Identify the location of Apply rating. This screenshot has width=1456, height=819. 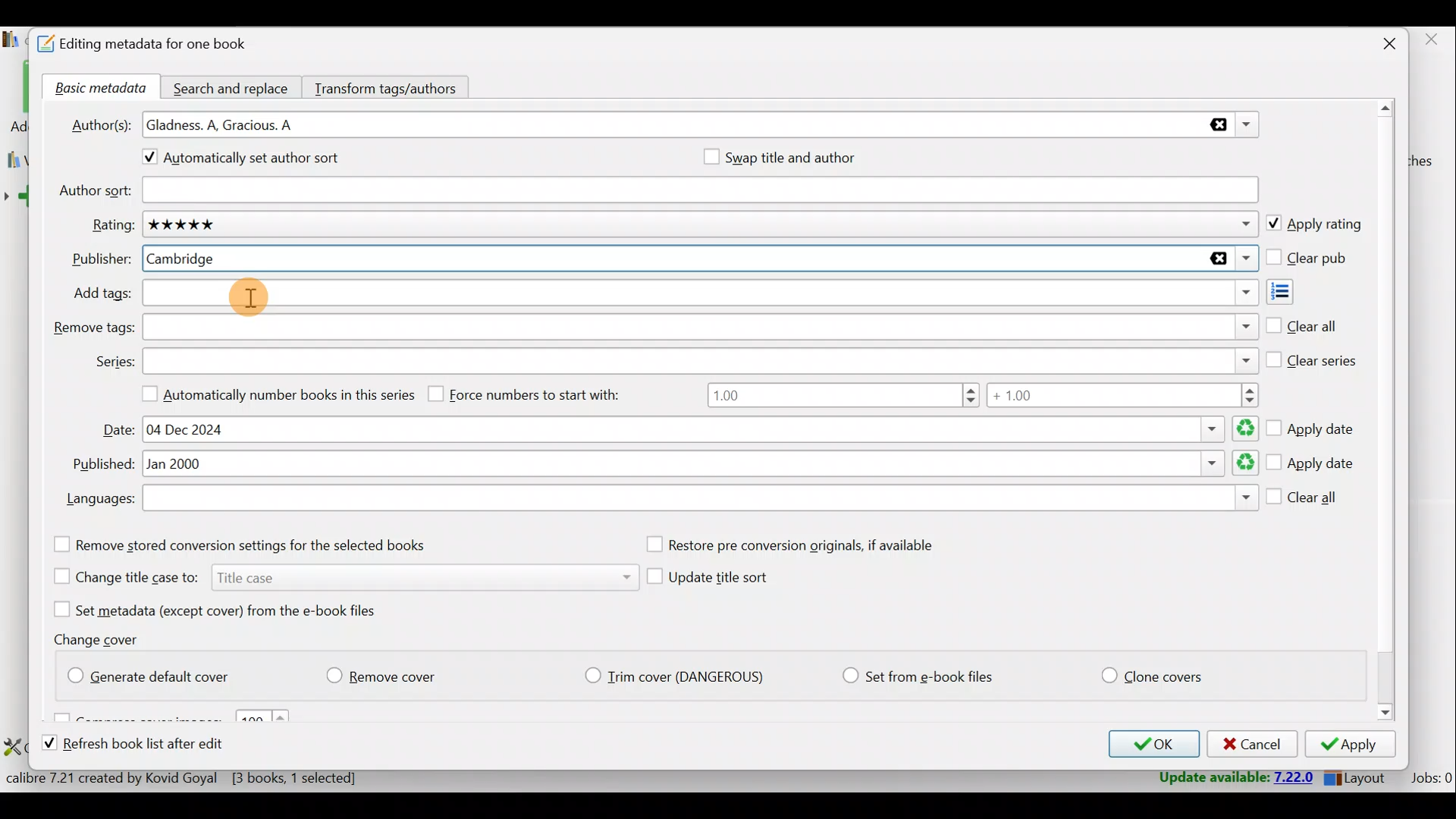
(1313, 225).